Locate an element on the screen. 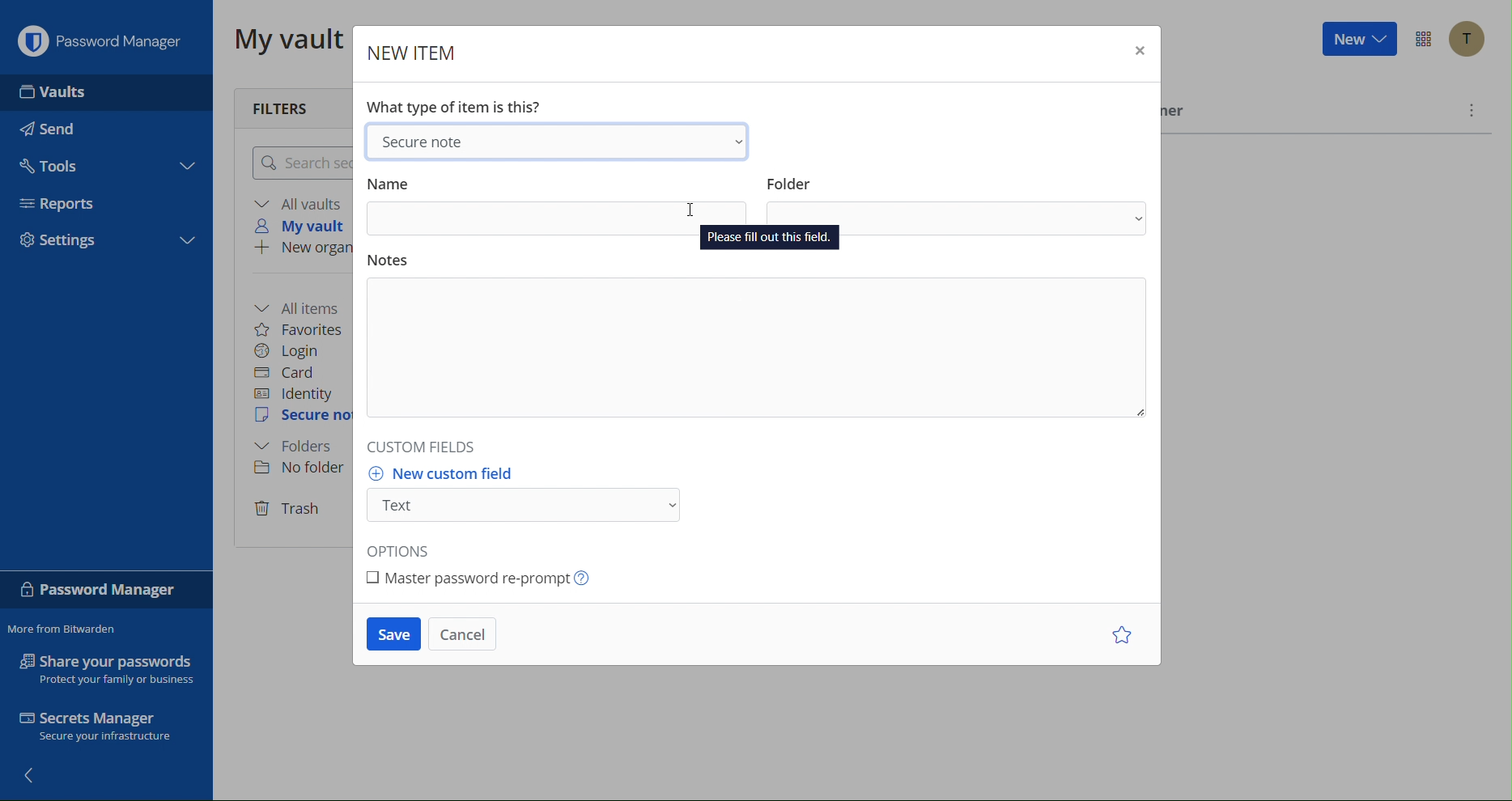 Image resolution: width=1512 pixels, height=801 pixels. New custom field is located at coordinates (525, 495).